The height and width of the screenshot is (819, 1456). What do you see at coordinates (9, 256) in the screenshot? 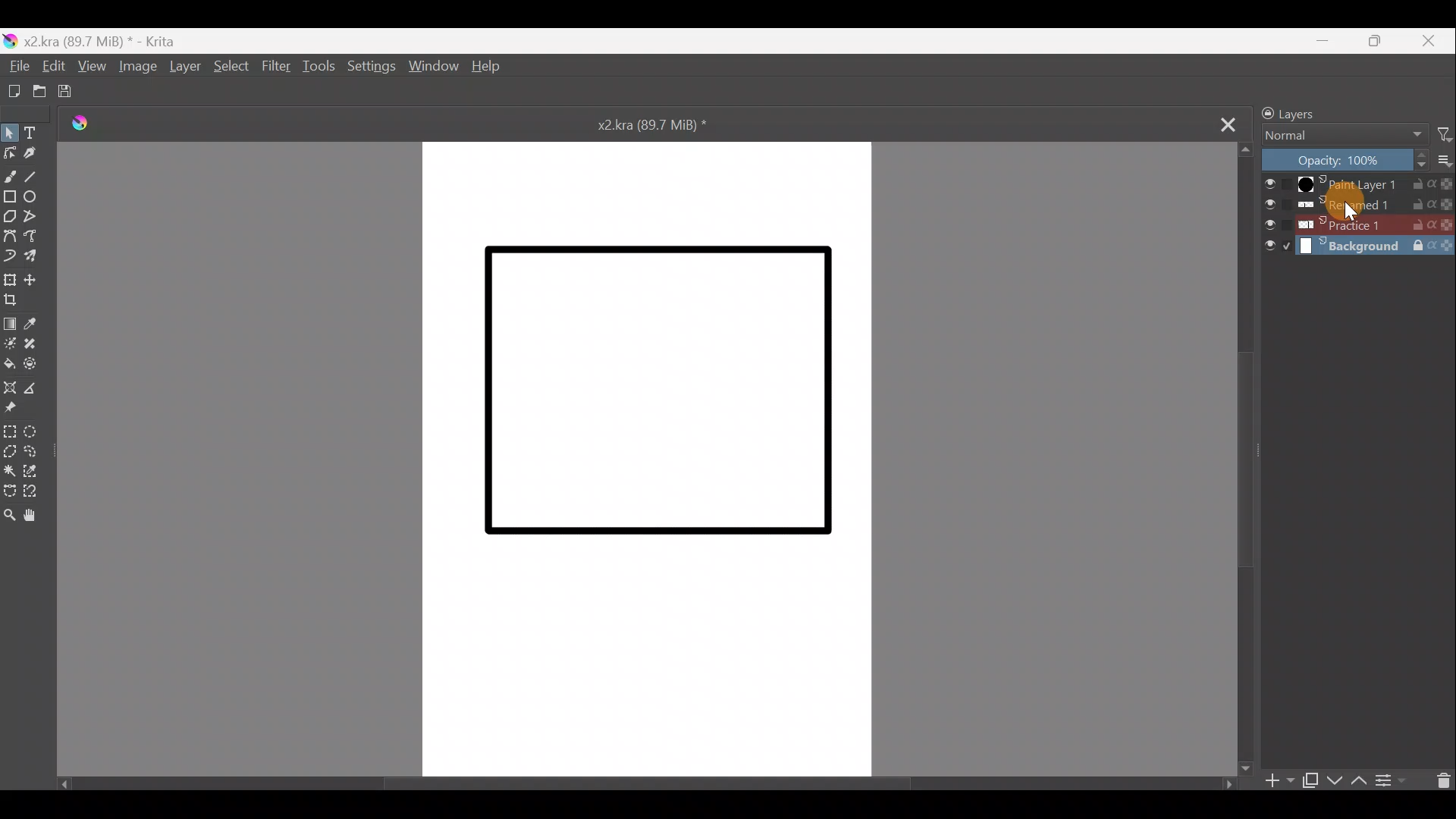
I see `Dynamic brush tool` at bounding box center [9, 256].